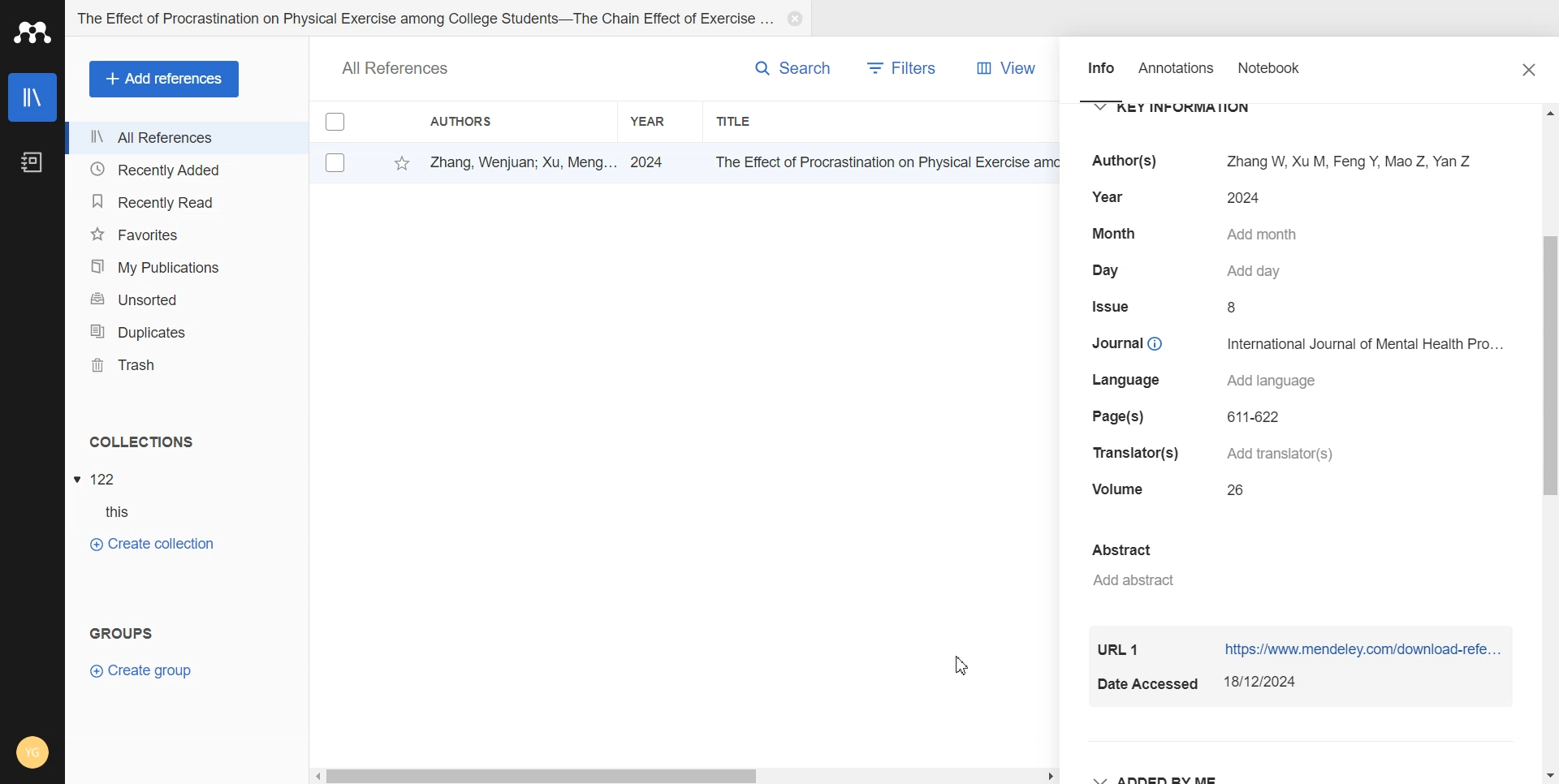 The height and width of the screenshot is (784, 1559). Describe the element at coordinates (1172, 199) in the screenshot. I see `Year 2024` at that location.